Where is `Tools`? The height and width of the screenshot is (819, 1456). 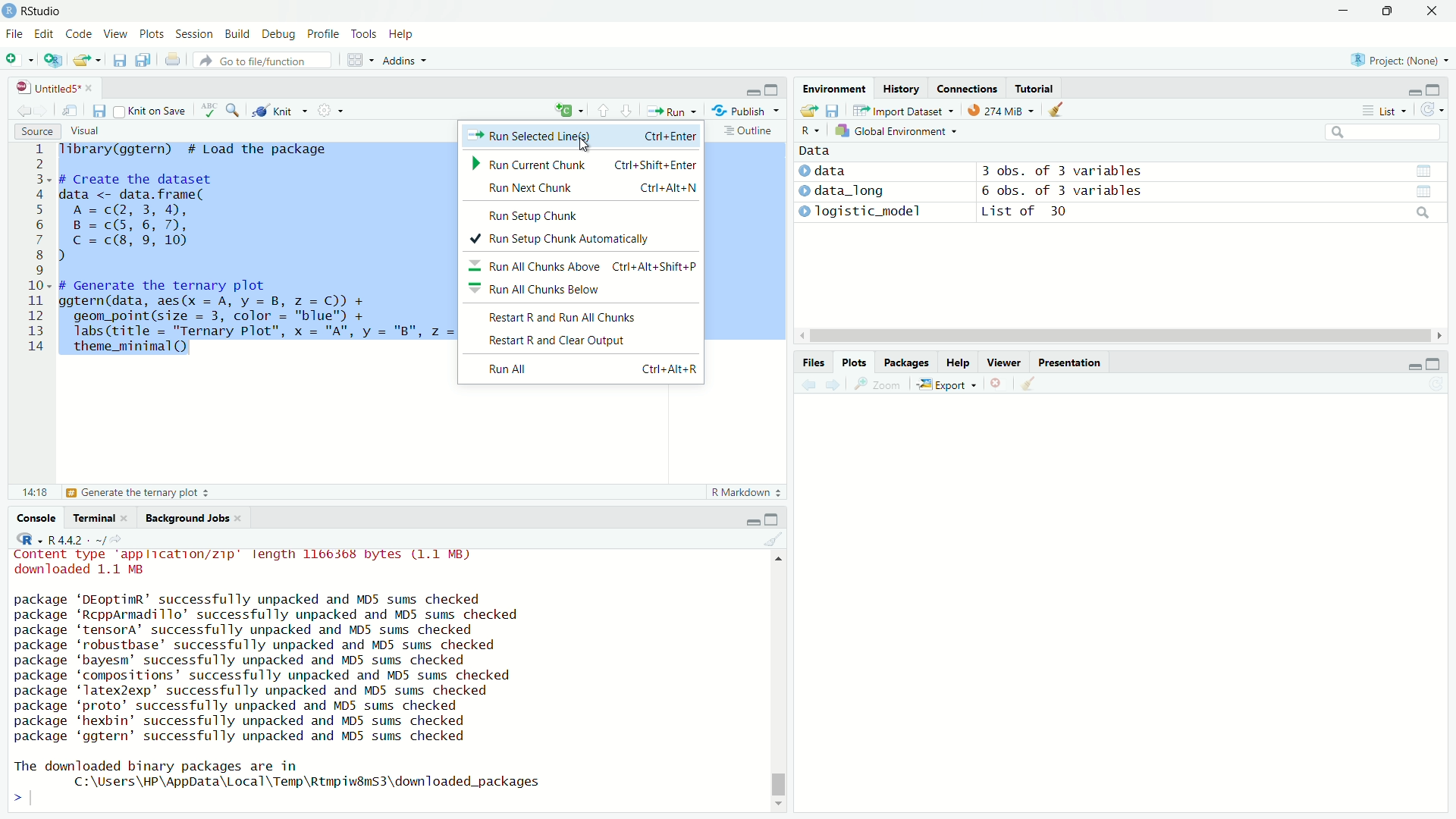
Tools is located at coordinates (363, 33).